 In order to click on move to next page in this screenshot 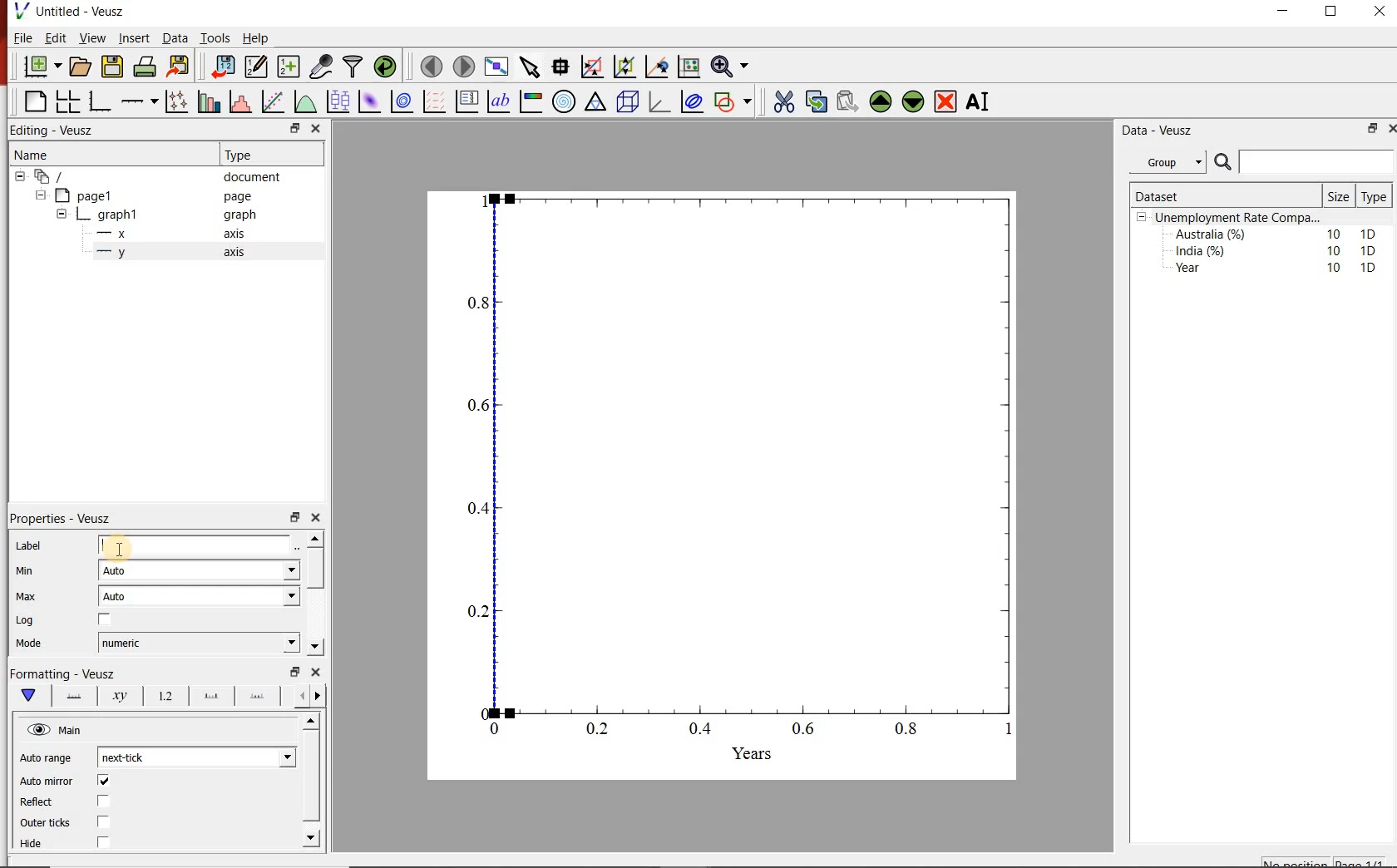, I will do `click(465, 67)`.